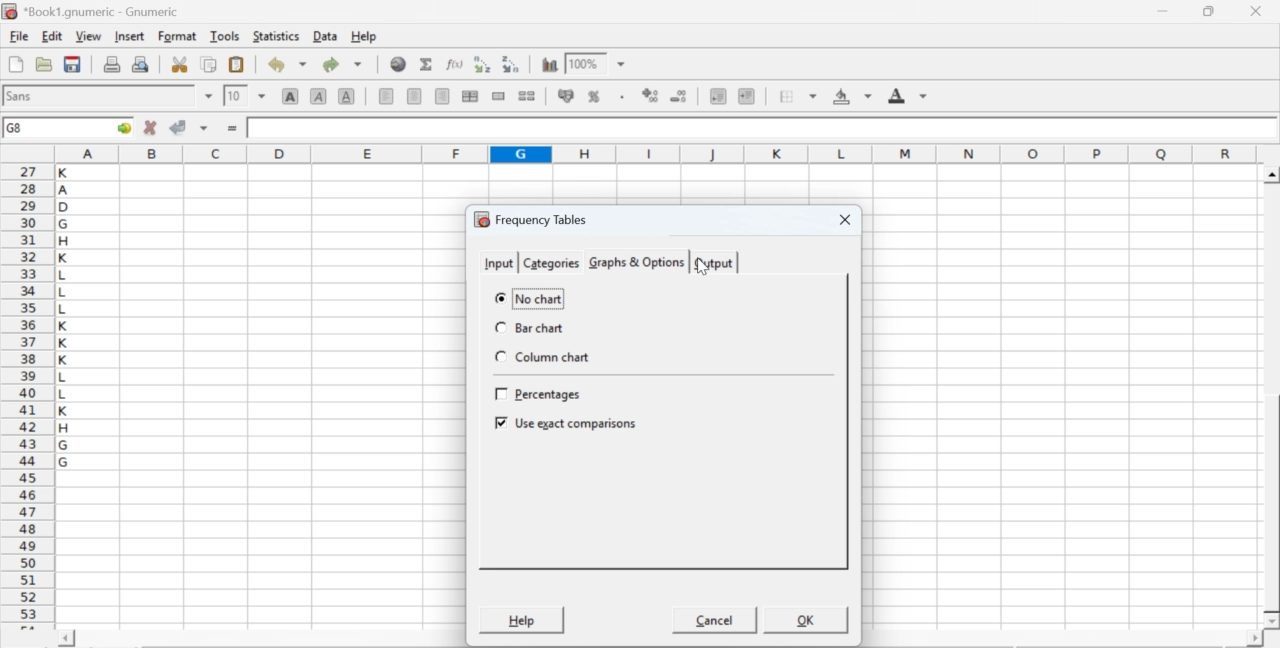  Describe the element at coordinates (550, 63) in the screenshot. I see `insert chart` at that location.